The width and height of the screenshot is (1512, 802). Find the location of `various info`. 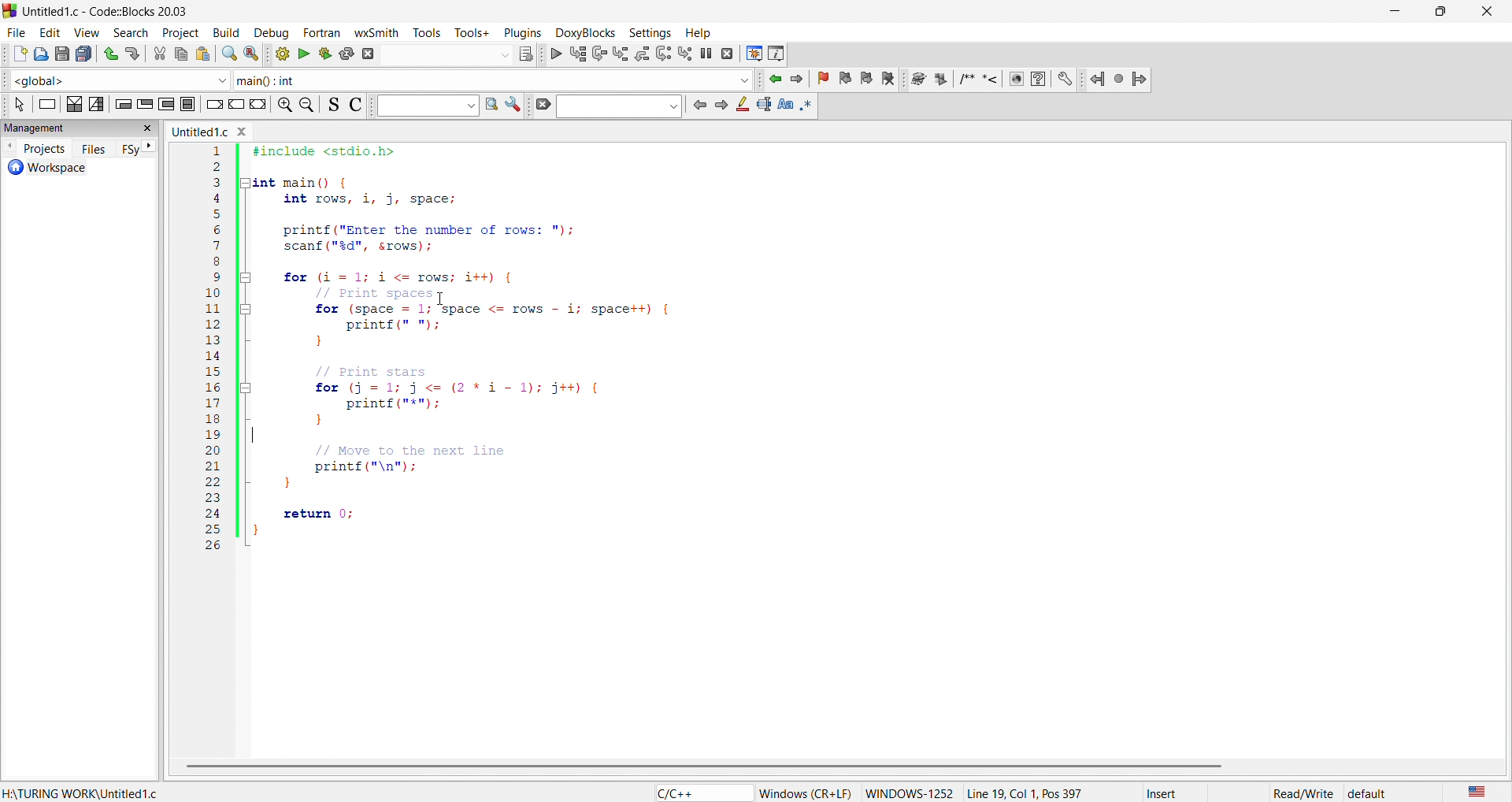

various info is located at coordinates (777, 53).